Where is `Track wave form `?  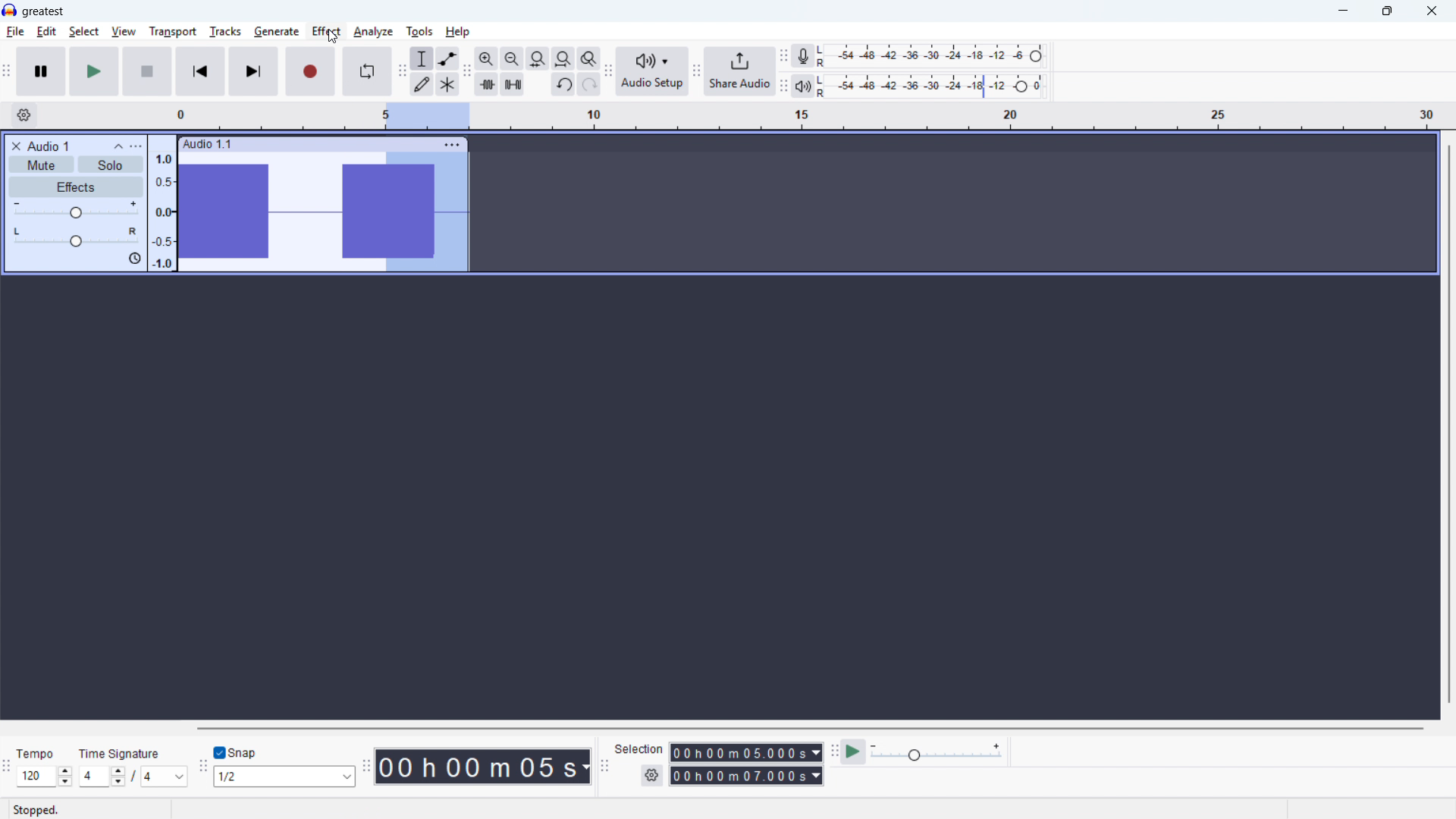
Track wave form  is located at coordinates (278, 212).